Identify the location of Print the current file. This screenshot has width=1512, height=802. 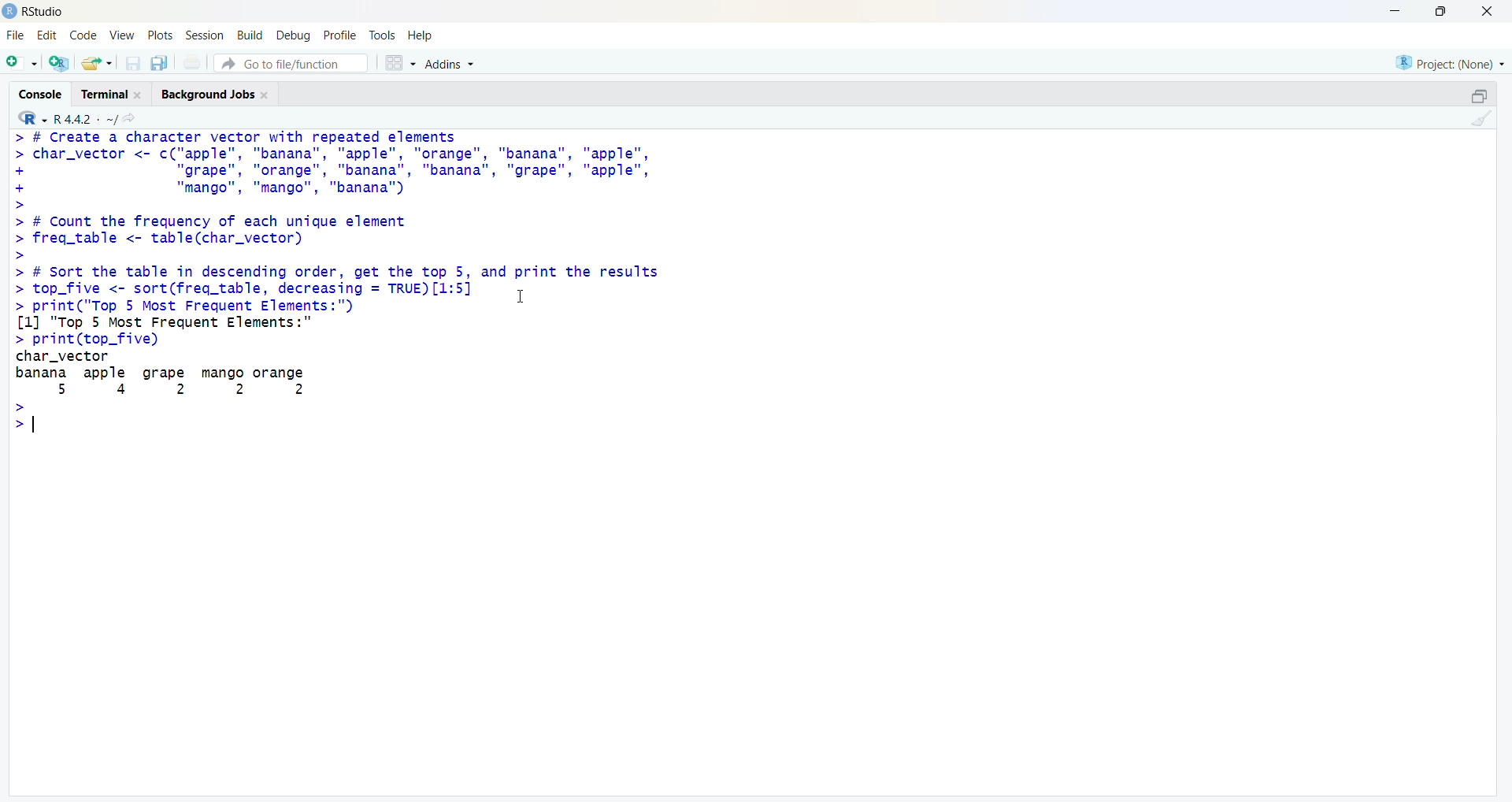
(192, 65).